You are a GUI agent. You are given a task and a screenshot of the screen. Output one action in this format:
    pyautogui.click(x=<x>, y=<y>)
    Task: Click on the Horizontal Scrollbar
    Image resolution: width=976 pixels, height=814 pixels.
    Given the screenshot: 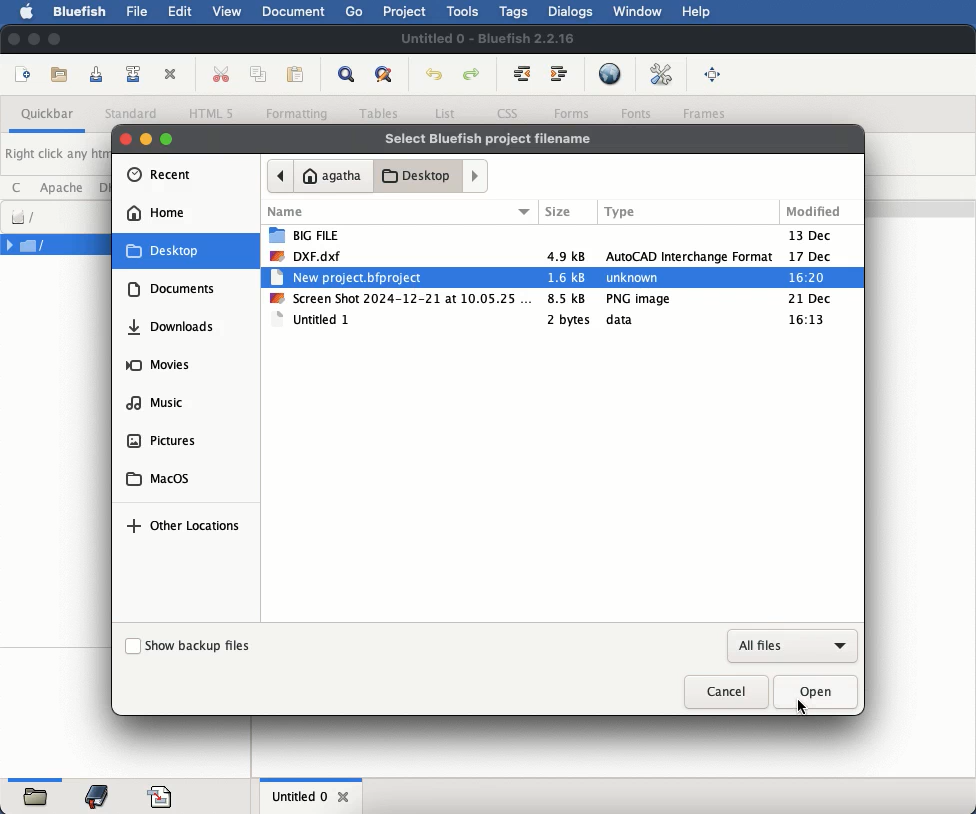 What is the action you would take?
    pyautogui.click(x=36, y=777)
    